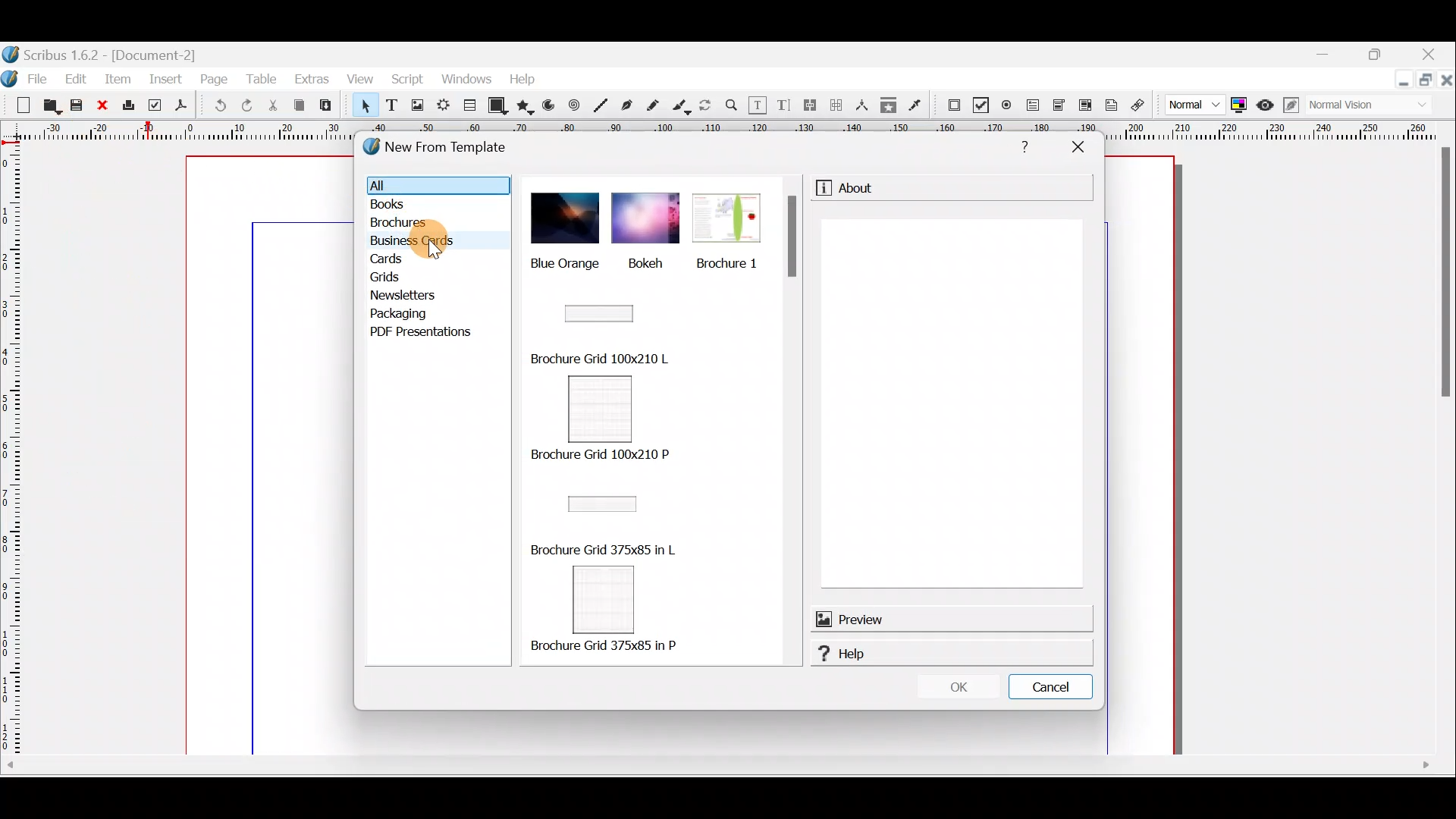 The height and width of the screenshot is (819, 1456). I want to click on Brochure grid, so click(603, 503).